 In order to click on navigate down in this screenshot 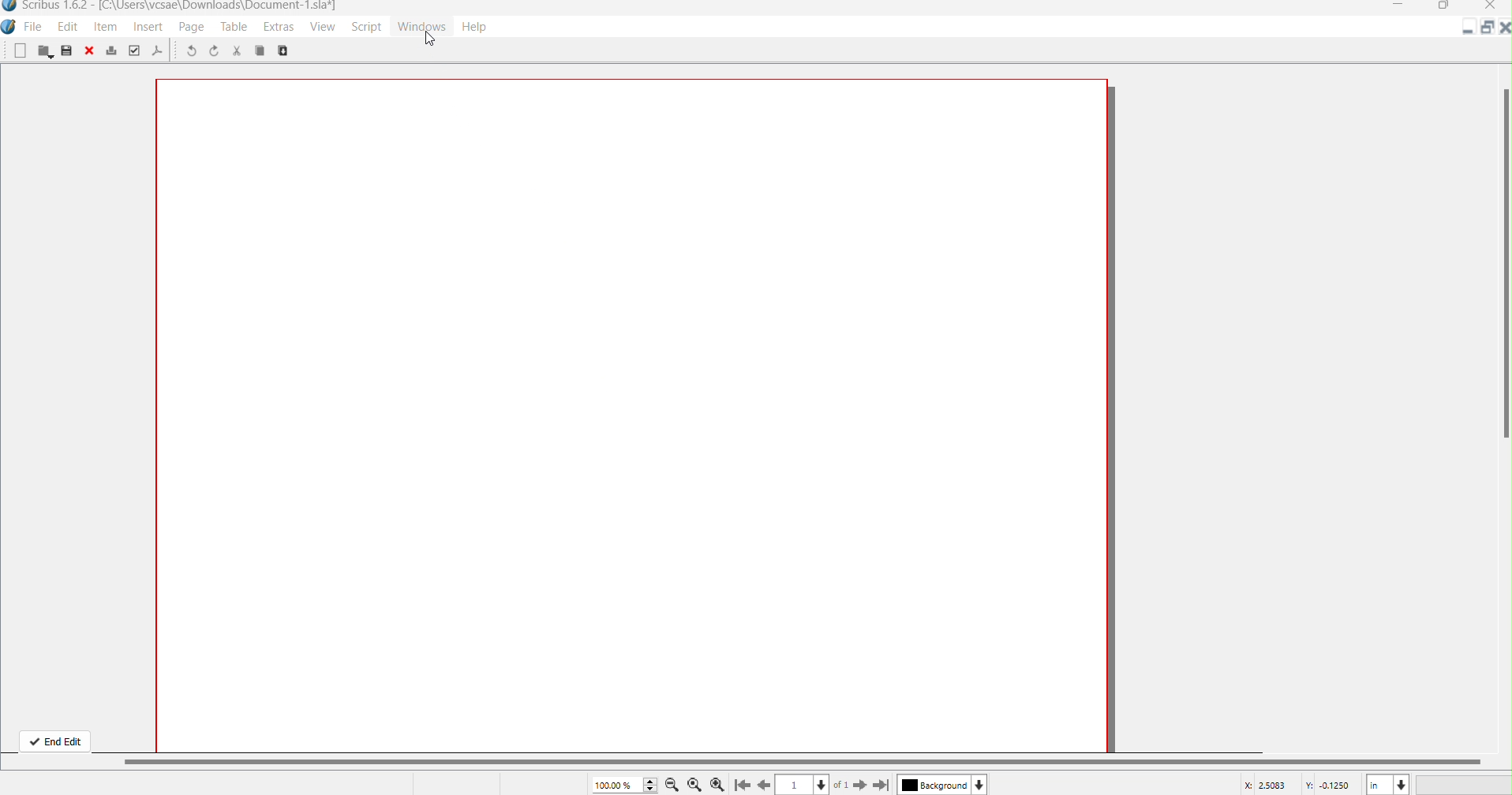, I will do `click(823, 782)`.